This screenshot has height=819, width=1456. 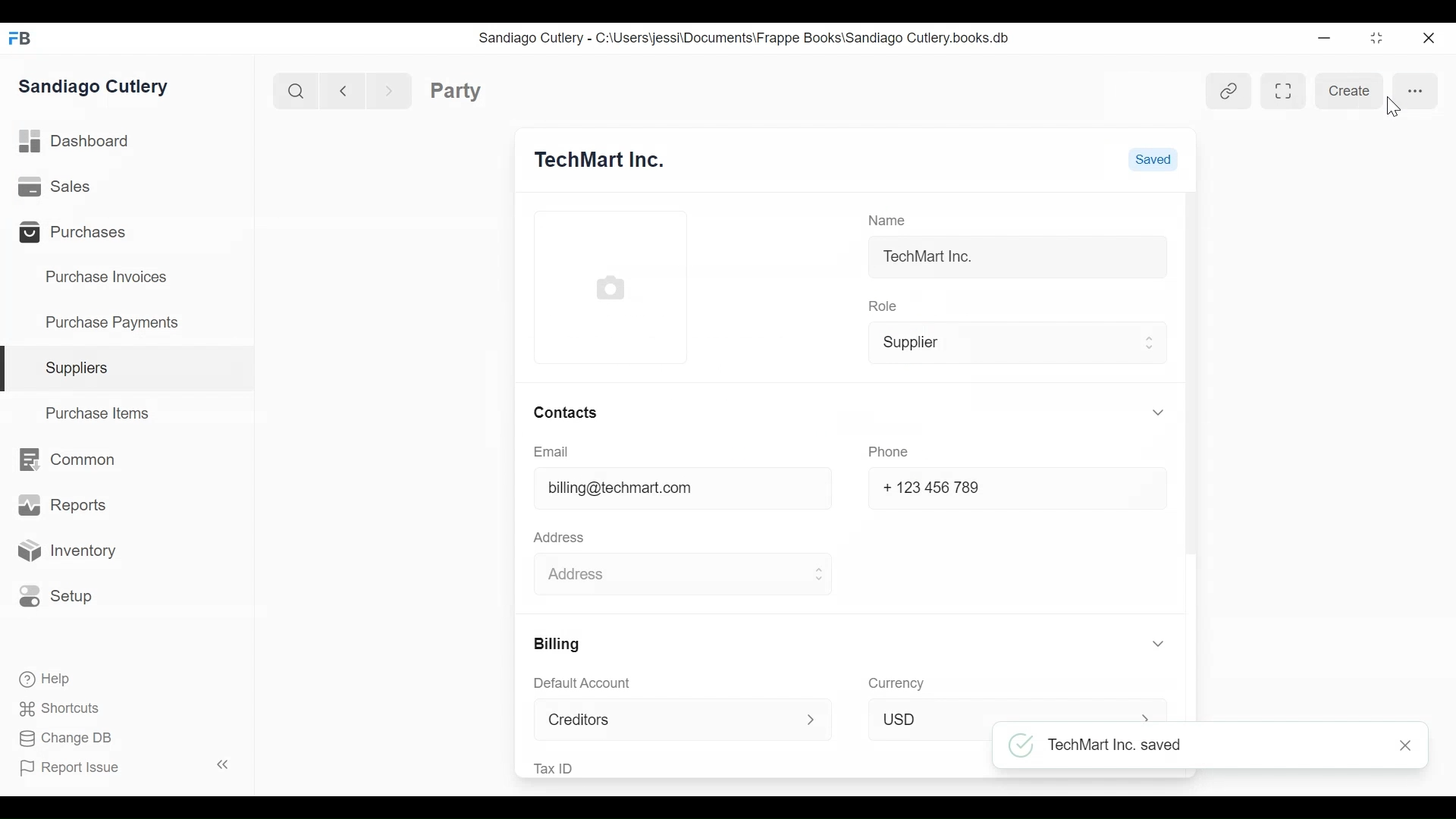 What do you see at coordinates (82, 368) in the screenshot?
I see `Supplies` at bounding box center [82, 368].